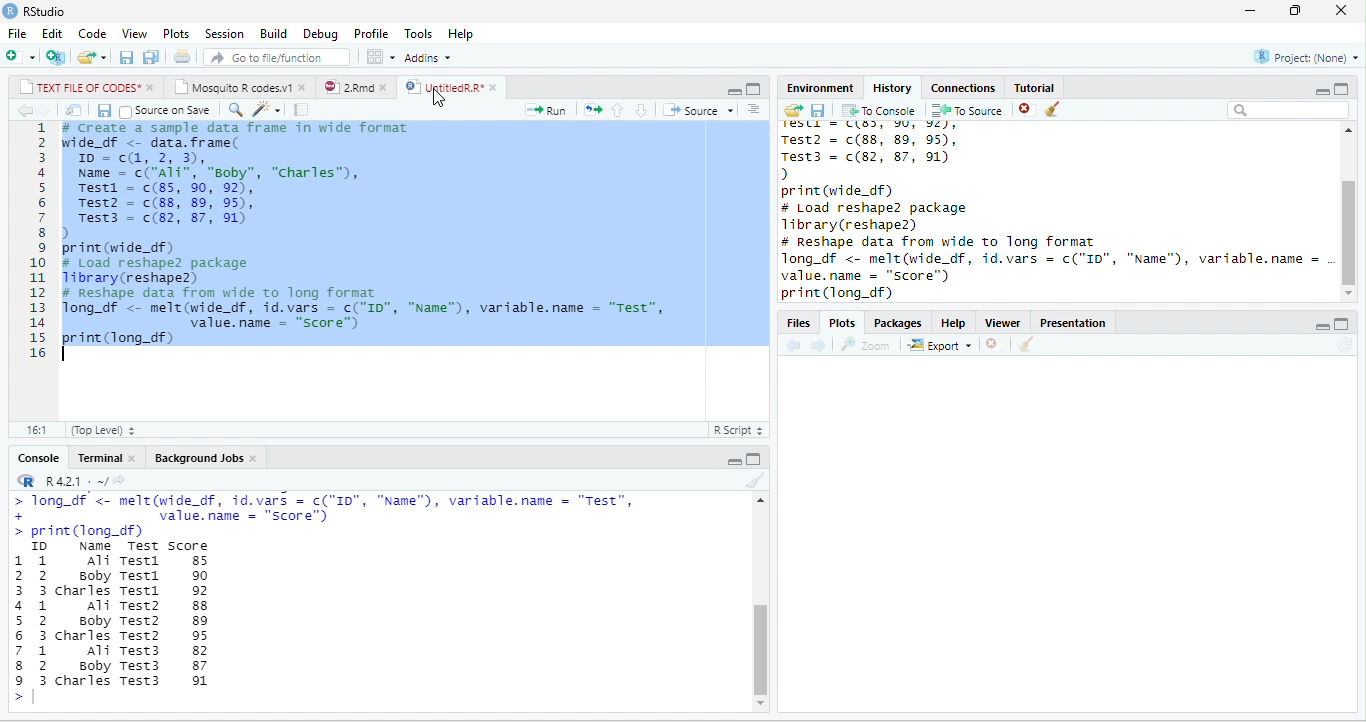 This screenshot has width=1366, height=722. I want to click on scroll down, so click(1348, 294).